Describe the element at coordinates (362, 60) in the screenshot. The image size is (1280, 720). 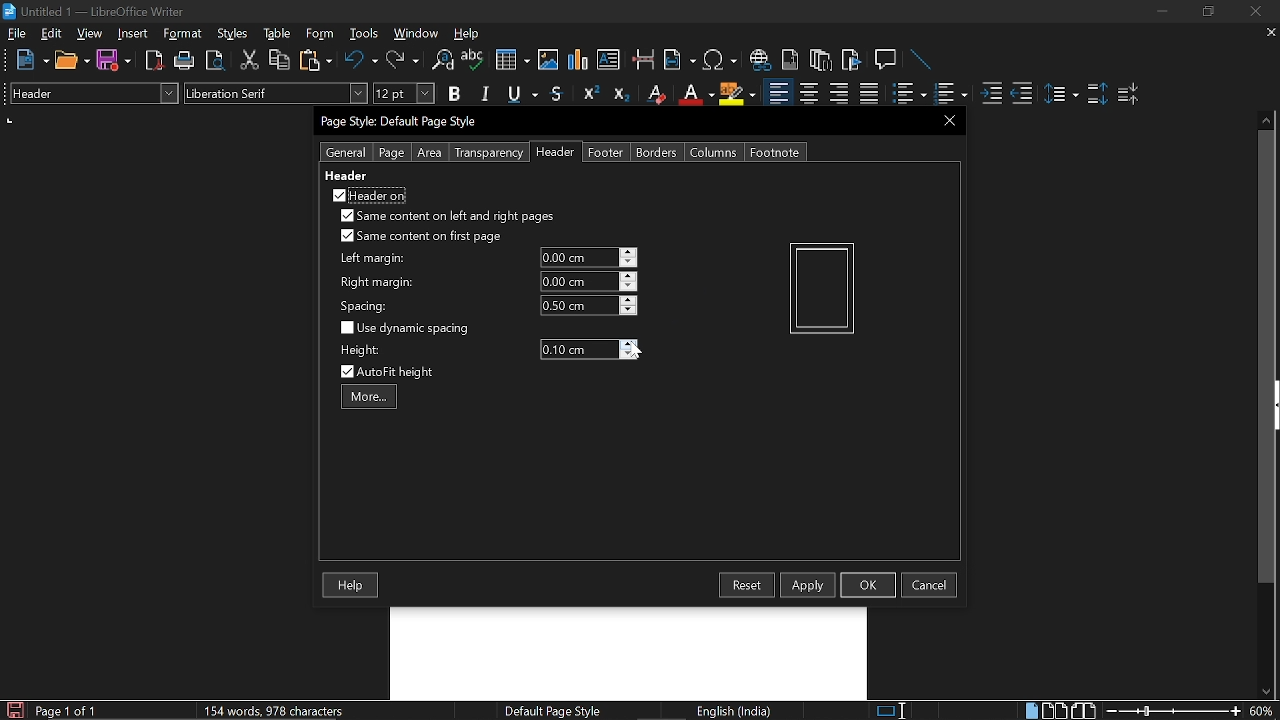
I see `Undo` at that location.